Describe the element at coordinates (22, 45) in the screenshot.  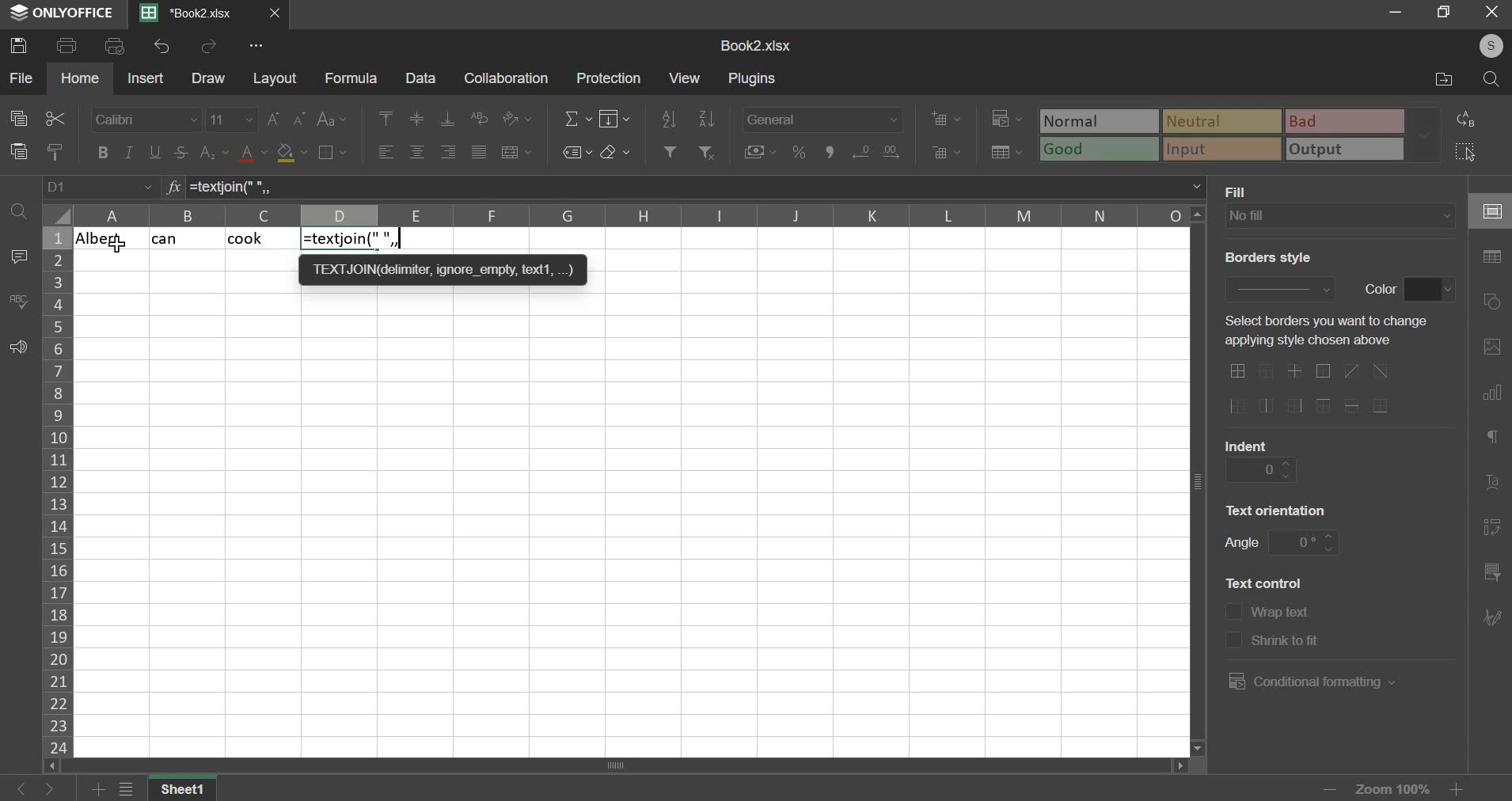
I see `save` at that location.